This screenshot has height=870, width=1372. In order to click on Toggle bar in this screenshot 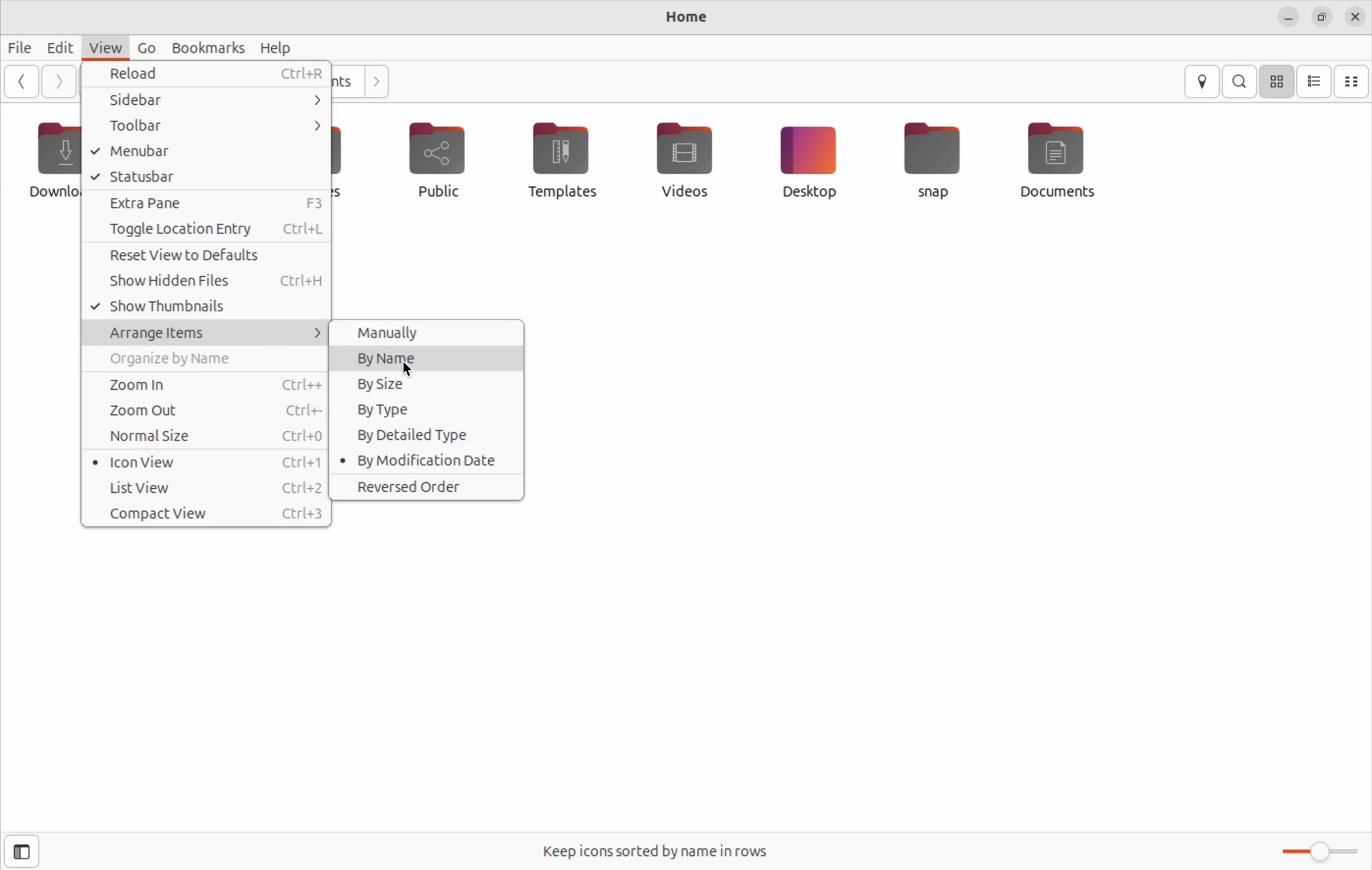, I will do `click(1321, 849)`.